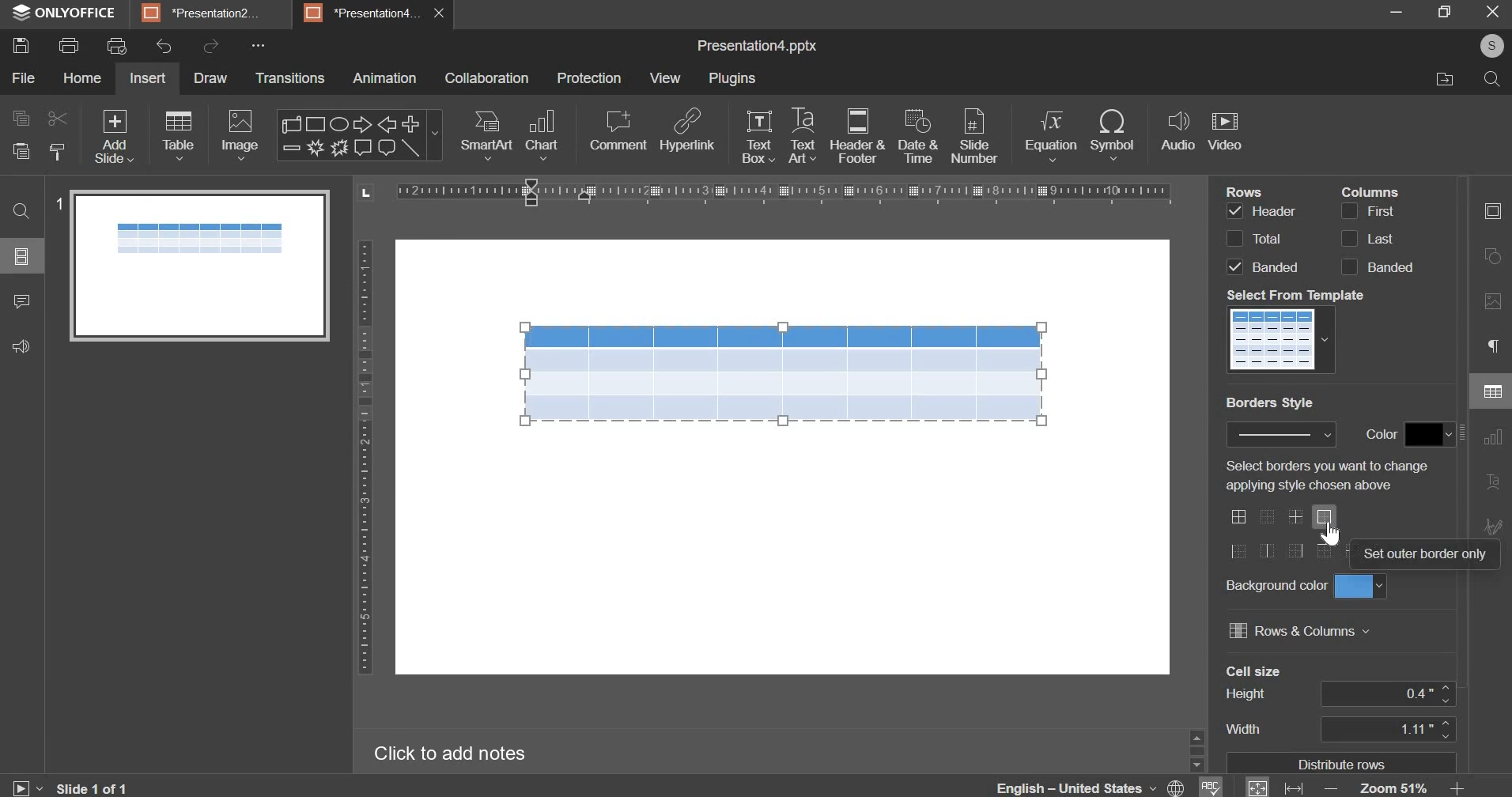 This screenshot has width=1512, height=797. Describe the element at coordinates (290, 78) in the screenshot. I see `transitions` at that location.